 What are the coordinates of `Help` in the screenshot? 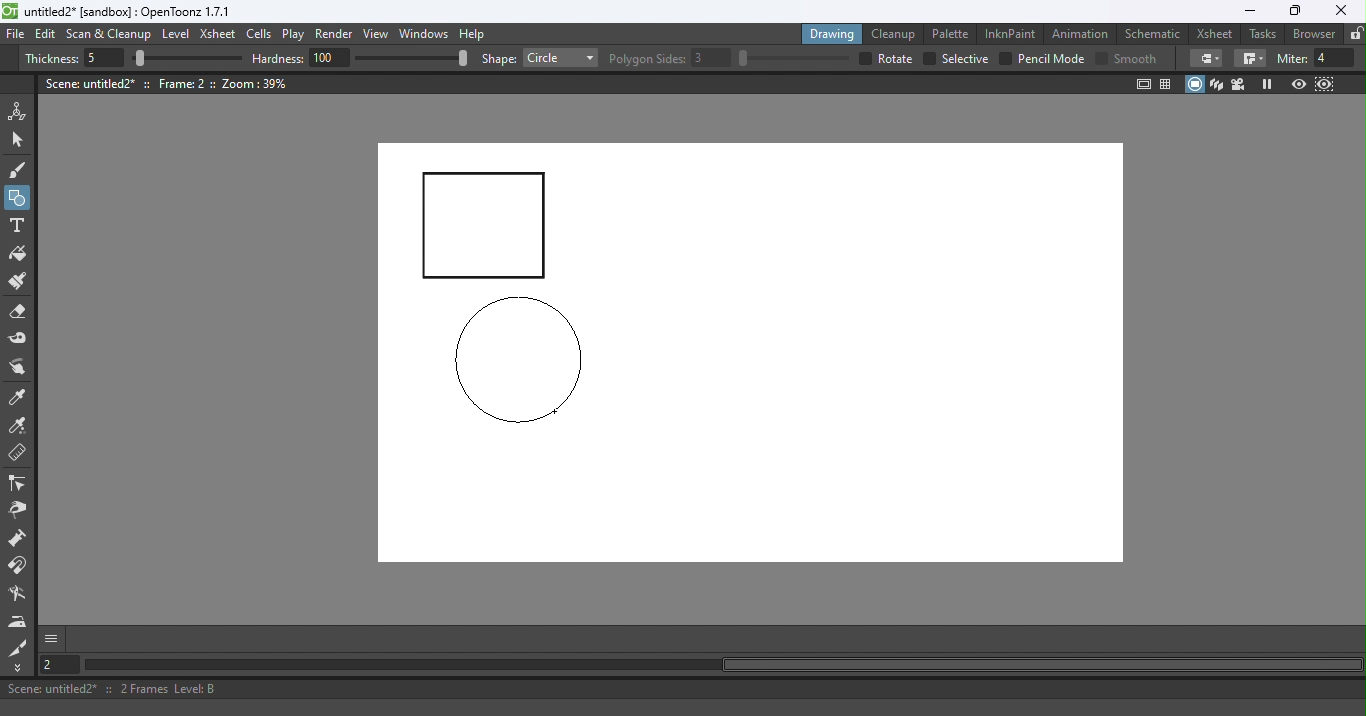 It's located at (475, 33).